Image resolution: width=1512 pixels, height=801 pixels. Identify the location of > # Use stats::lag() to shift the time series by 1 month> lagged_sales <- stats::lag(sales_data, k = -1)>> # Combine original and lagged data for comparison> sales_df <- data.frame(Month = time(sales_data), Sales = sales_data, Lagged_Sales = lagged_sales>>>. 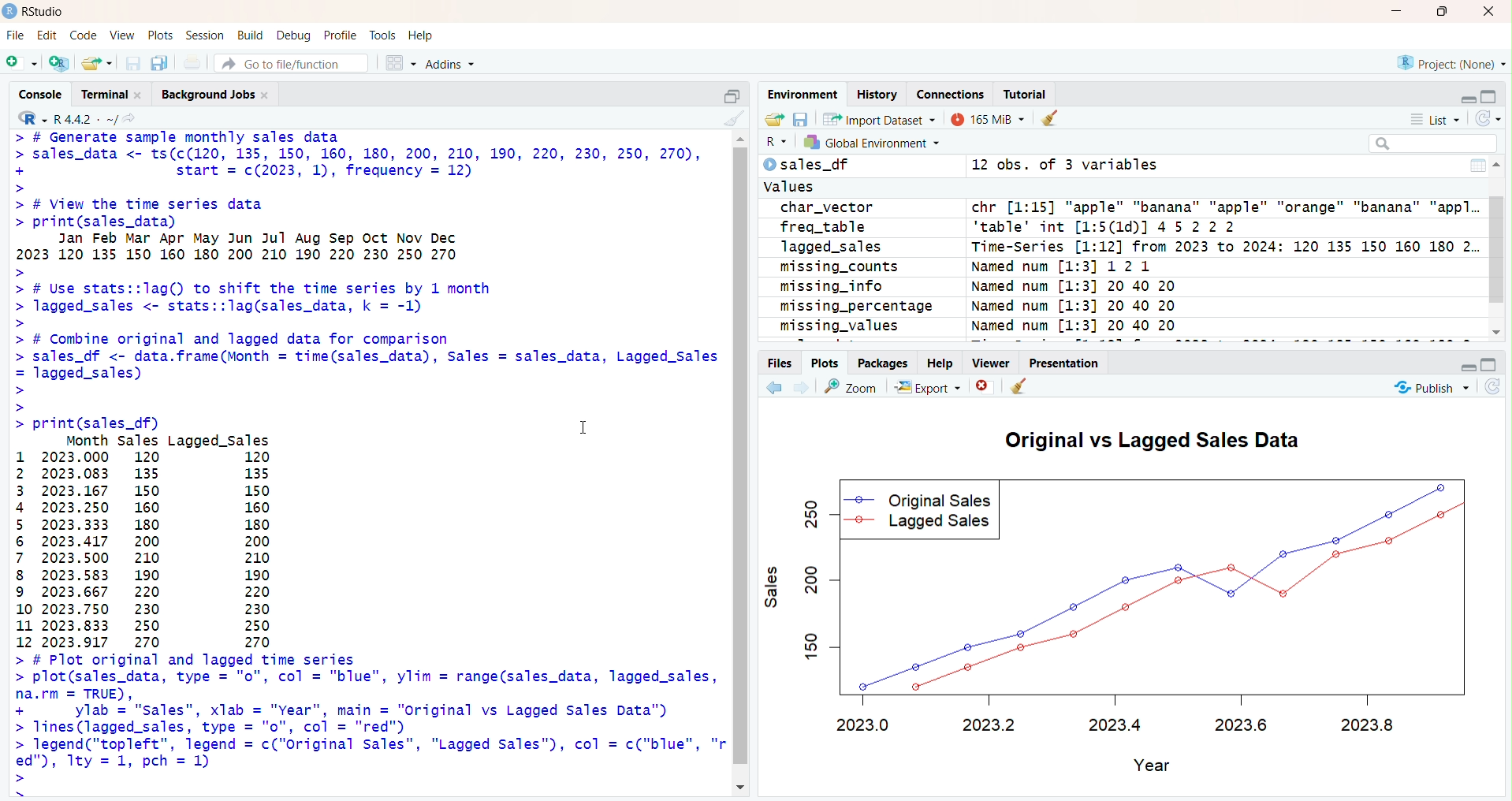
(367, 339).